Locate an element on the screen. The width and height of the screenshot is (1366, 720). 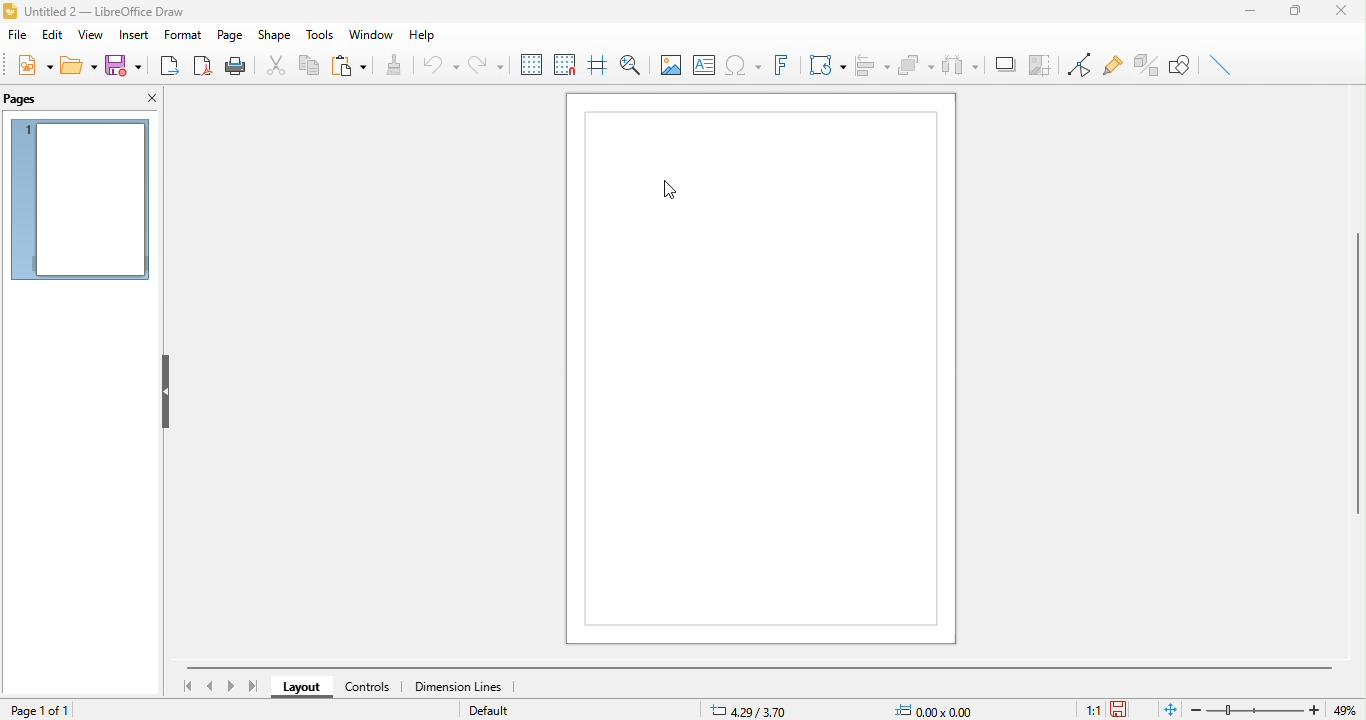
text box  is located at coordinates (702, 63).